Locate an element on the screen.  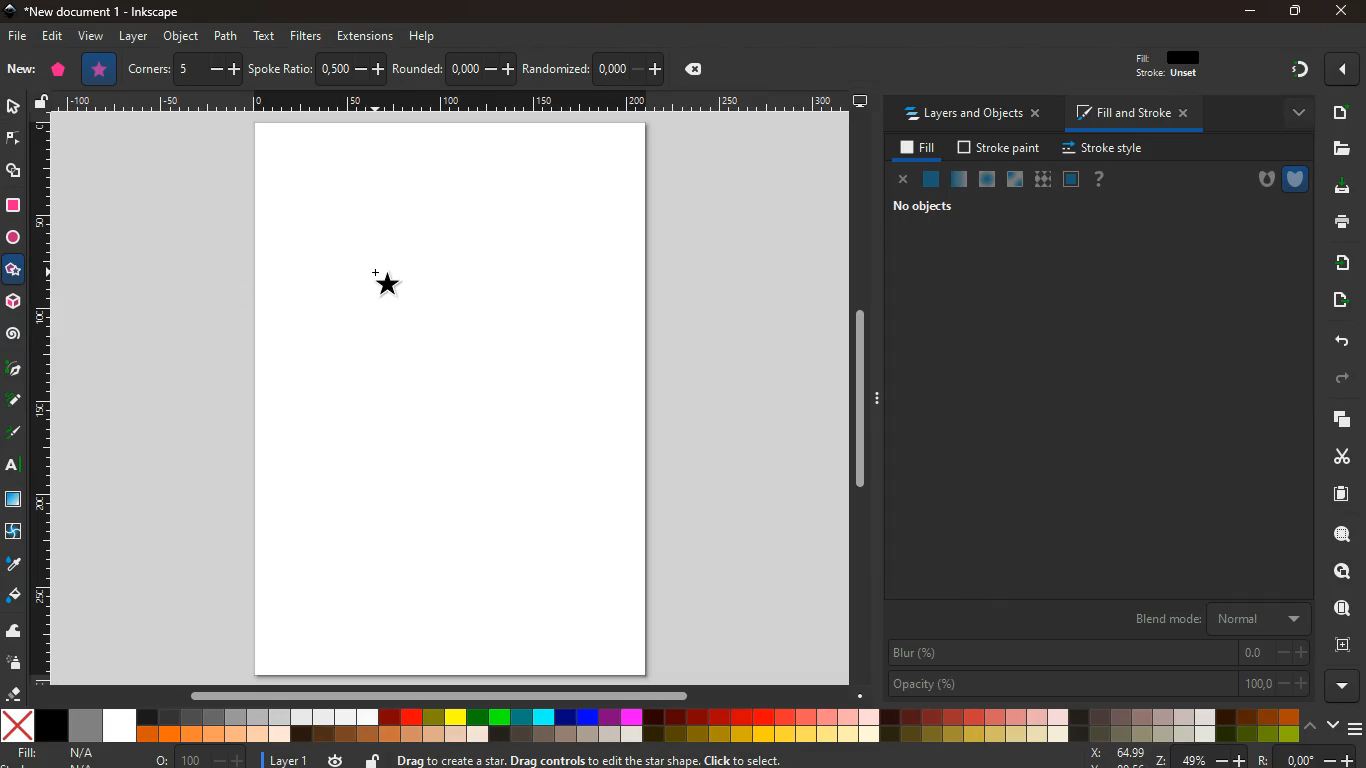
opacity is located at coordinates (1098, 685).